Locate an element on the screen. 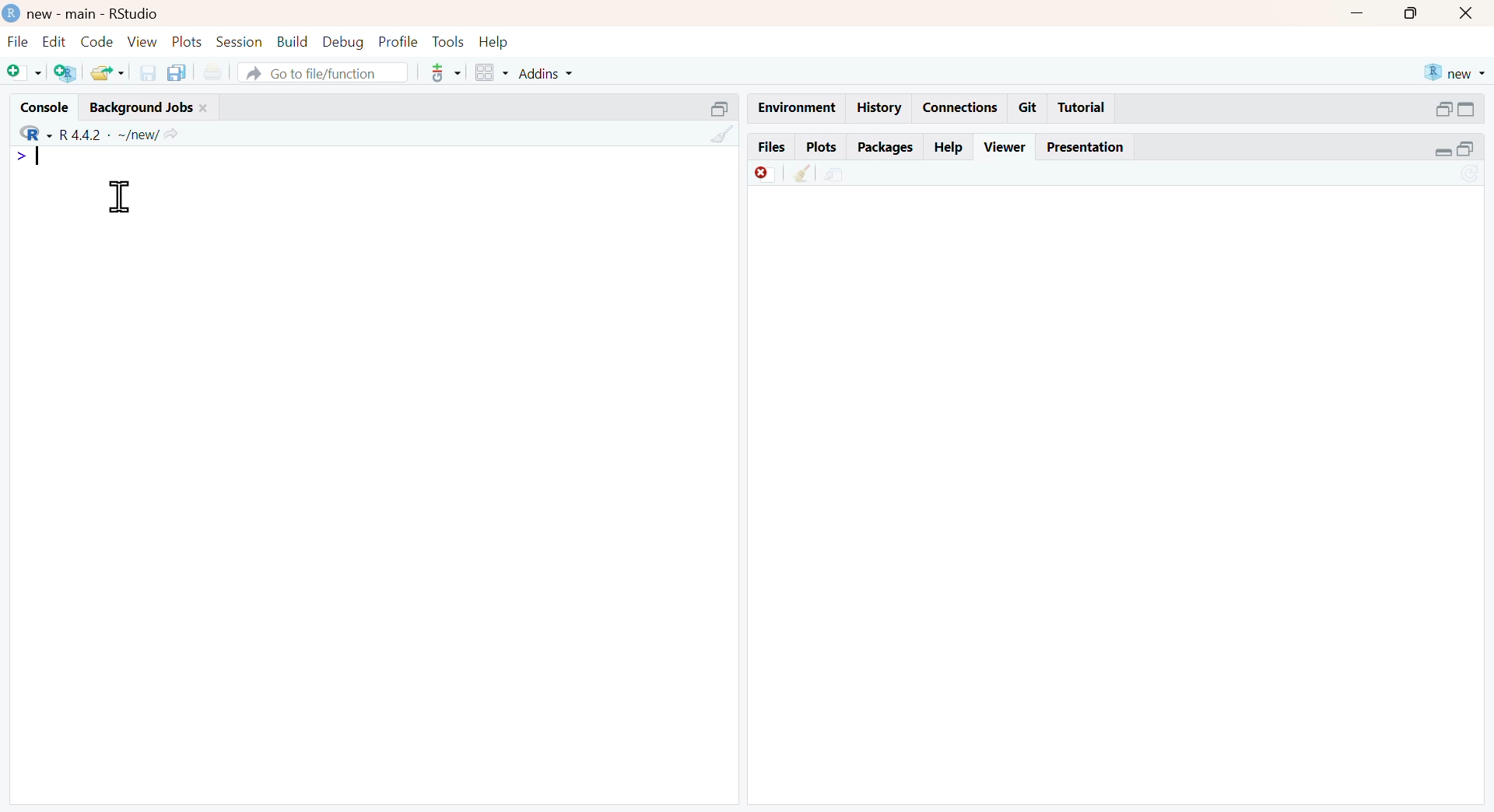  discard is located at coordinates (767, 174).